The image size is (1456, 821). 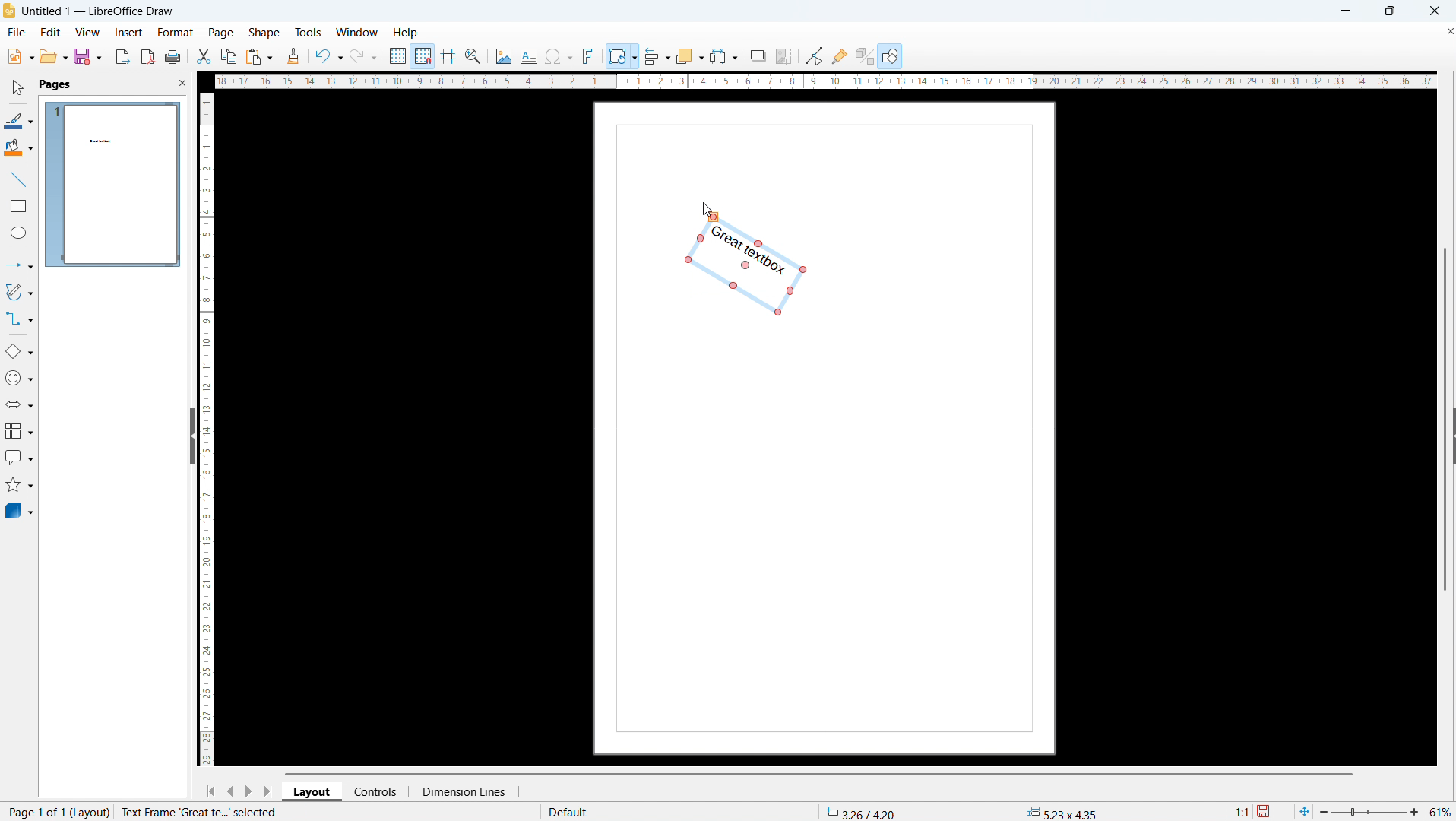 What do you see at coordinates (147, 56) in the screenshot?
I see `export as pdf` at bounding box center [147, 56].